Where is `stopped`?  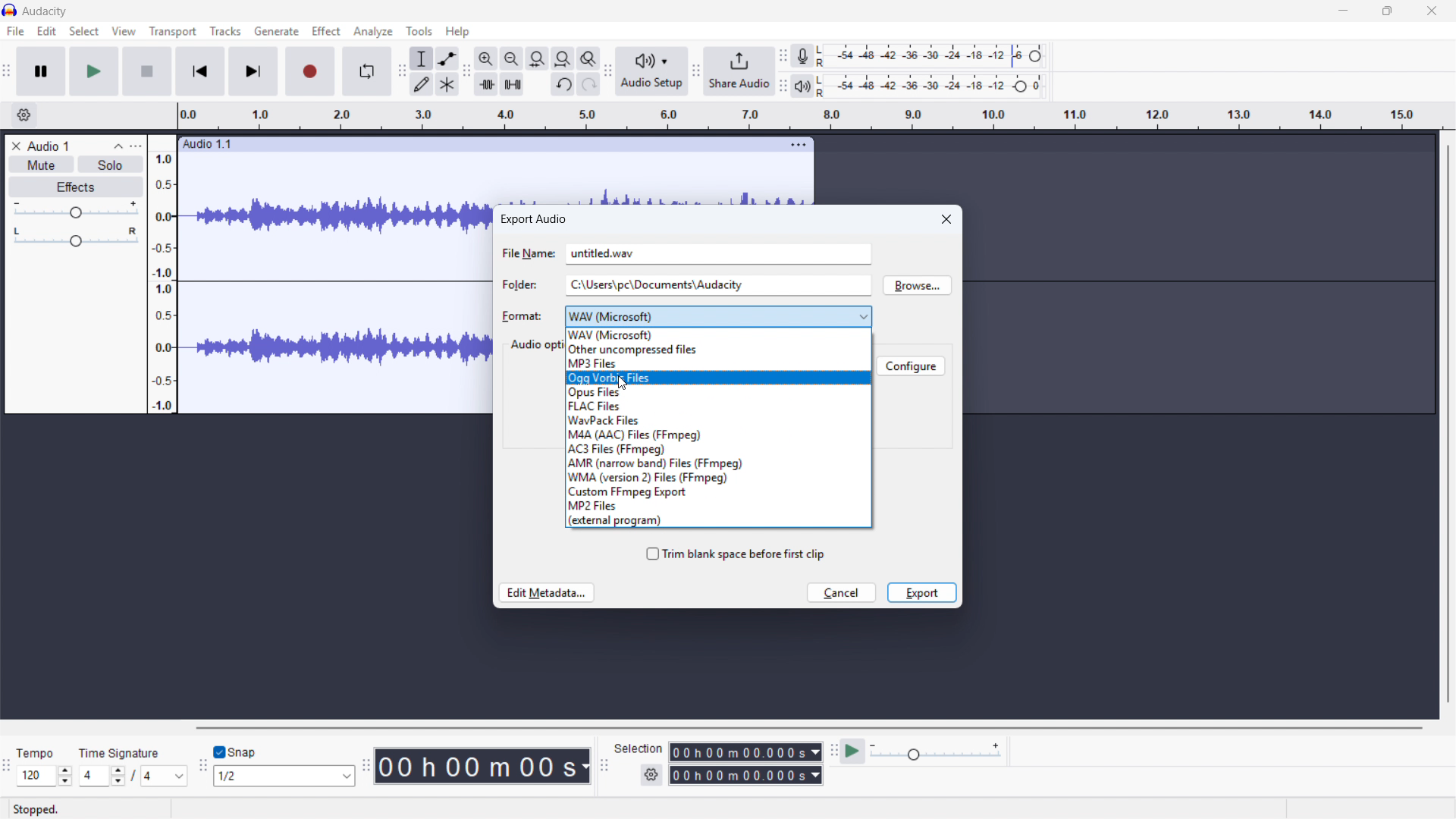
stopped is located at coordinates (43, 808).